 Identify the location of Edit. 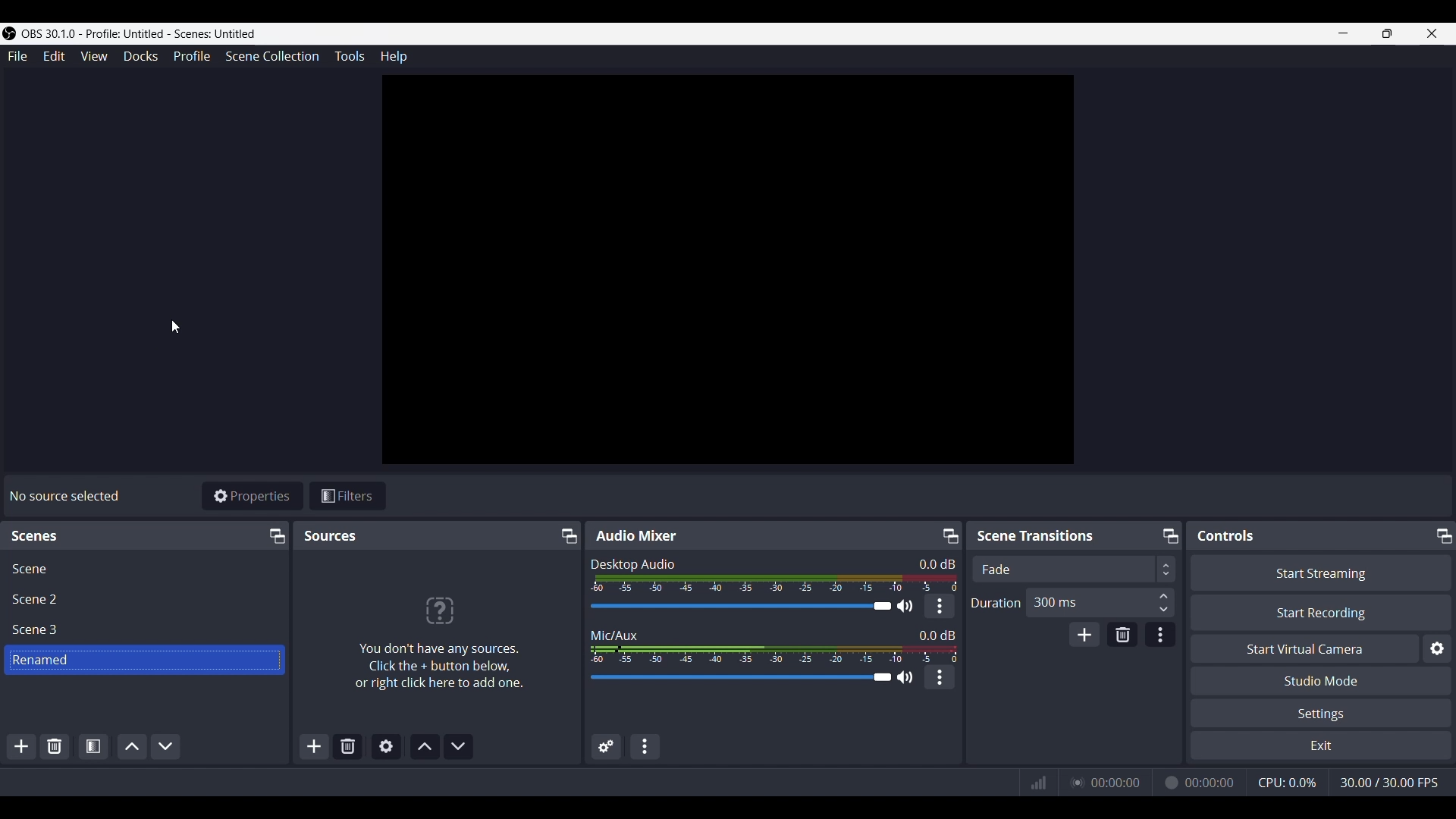
(54, 58).